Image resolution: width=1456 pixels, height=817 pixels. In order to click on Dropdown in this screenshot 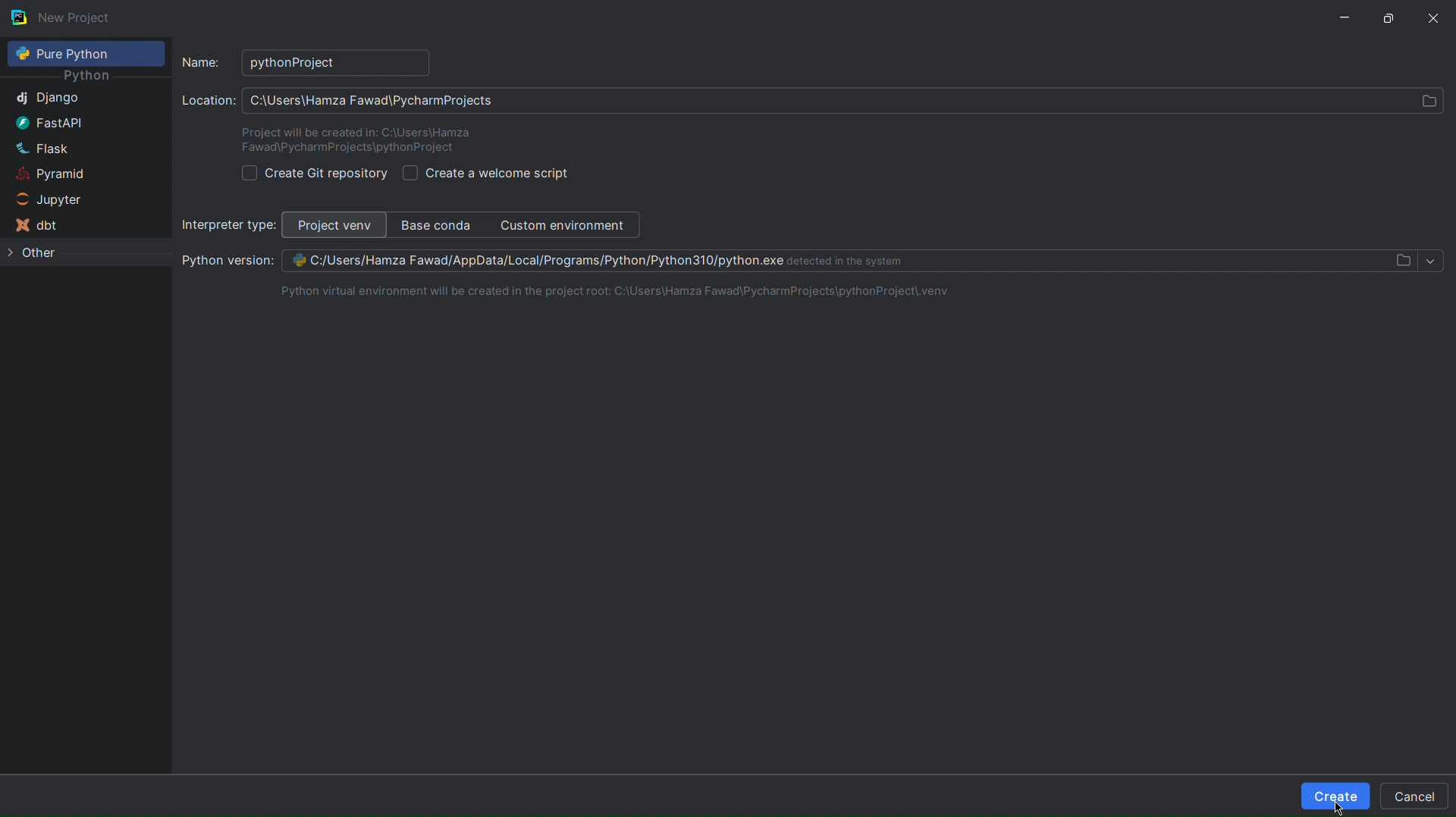, I will do `click(1431, 261)`.